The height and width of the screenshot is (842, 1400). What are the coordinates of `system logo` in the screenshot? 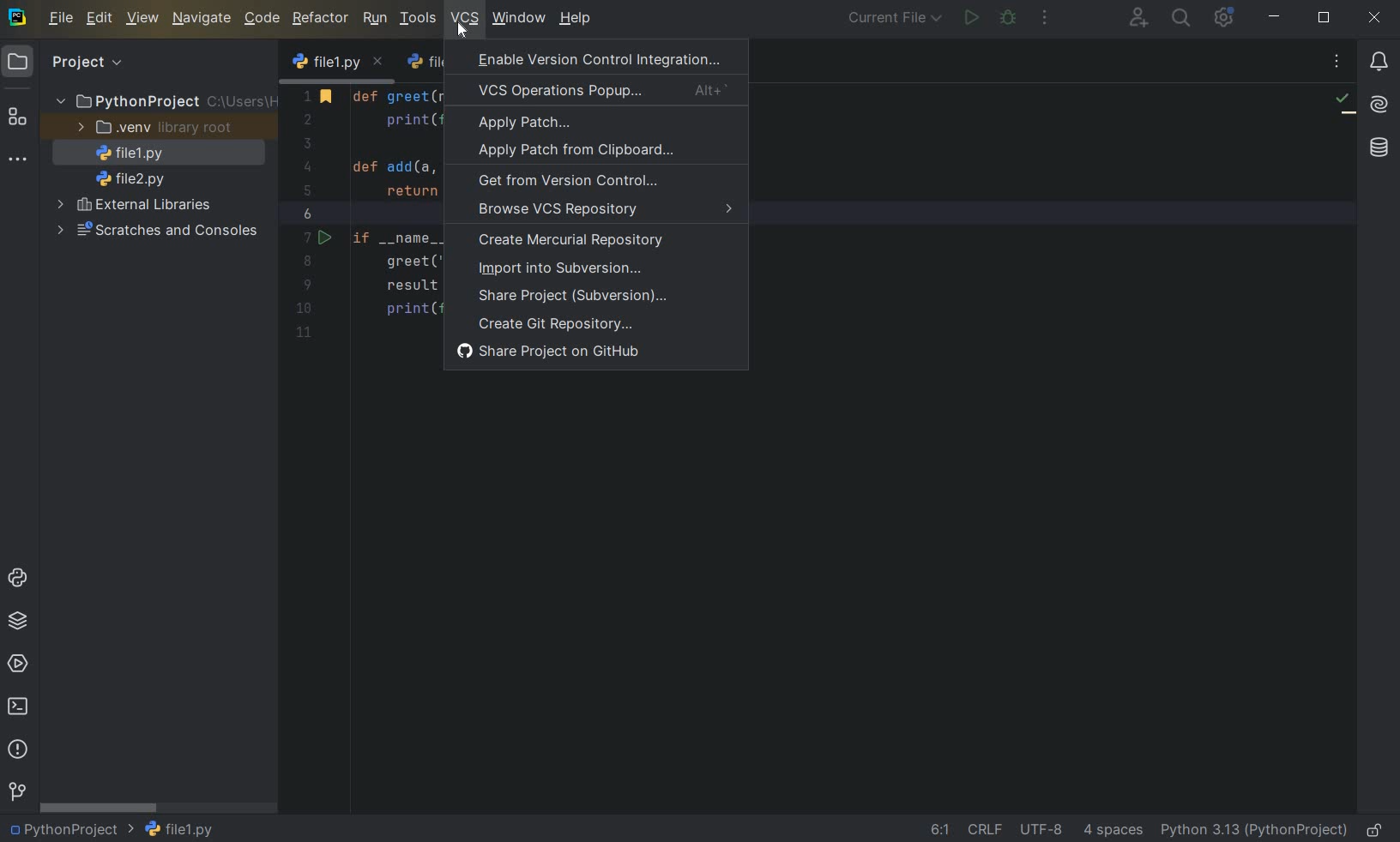 It's located at (18, 18).